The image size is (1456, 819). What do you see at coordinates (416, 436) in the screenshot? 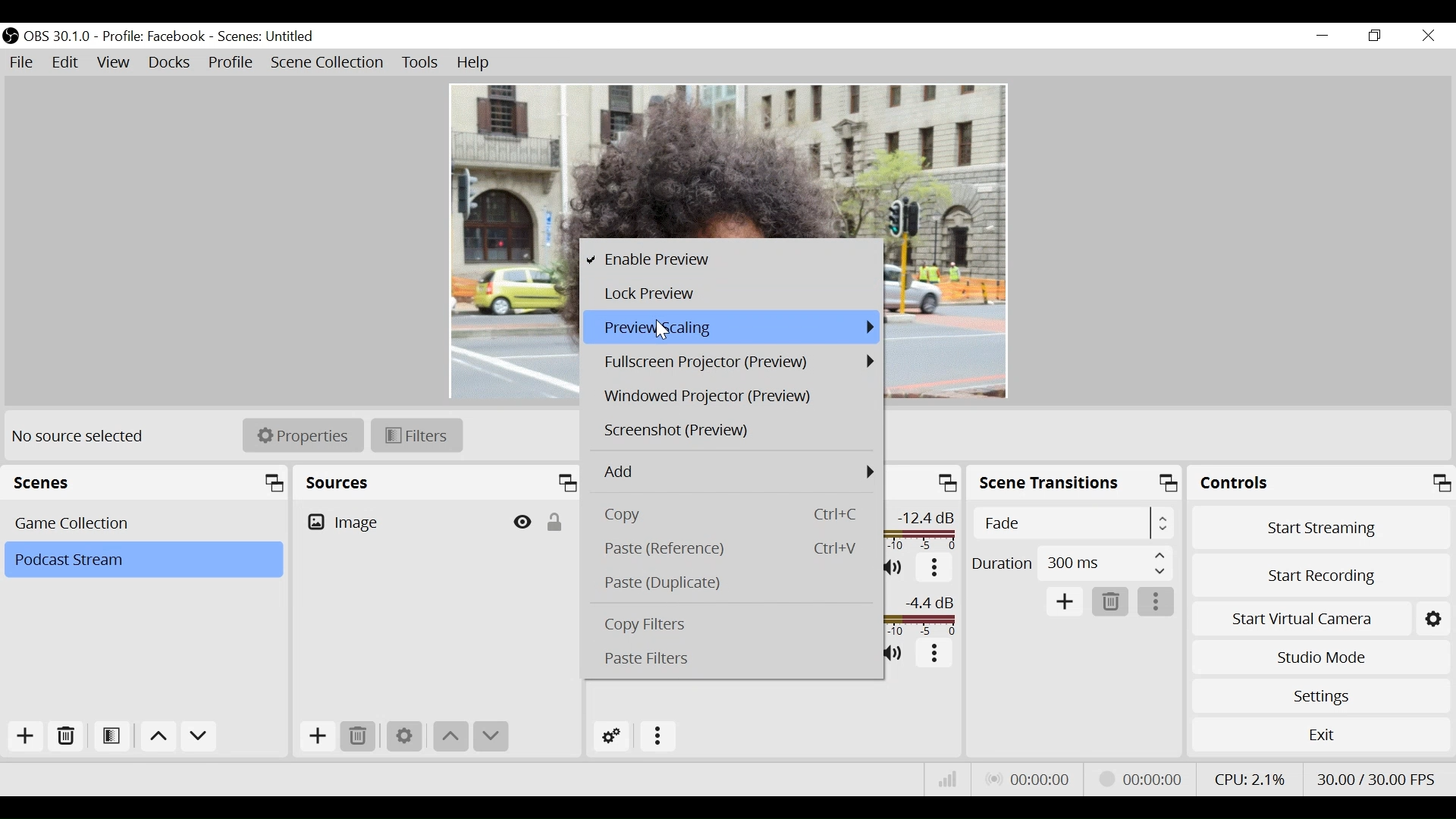
I see `Filters` at bounding box center [416, 436].